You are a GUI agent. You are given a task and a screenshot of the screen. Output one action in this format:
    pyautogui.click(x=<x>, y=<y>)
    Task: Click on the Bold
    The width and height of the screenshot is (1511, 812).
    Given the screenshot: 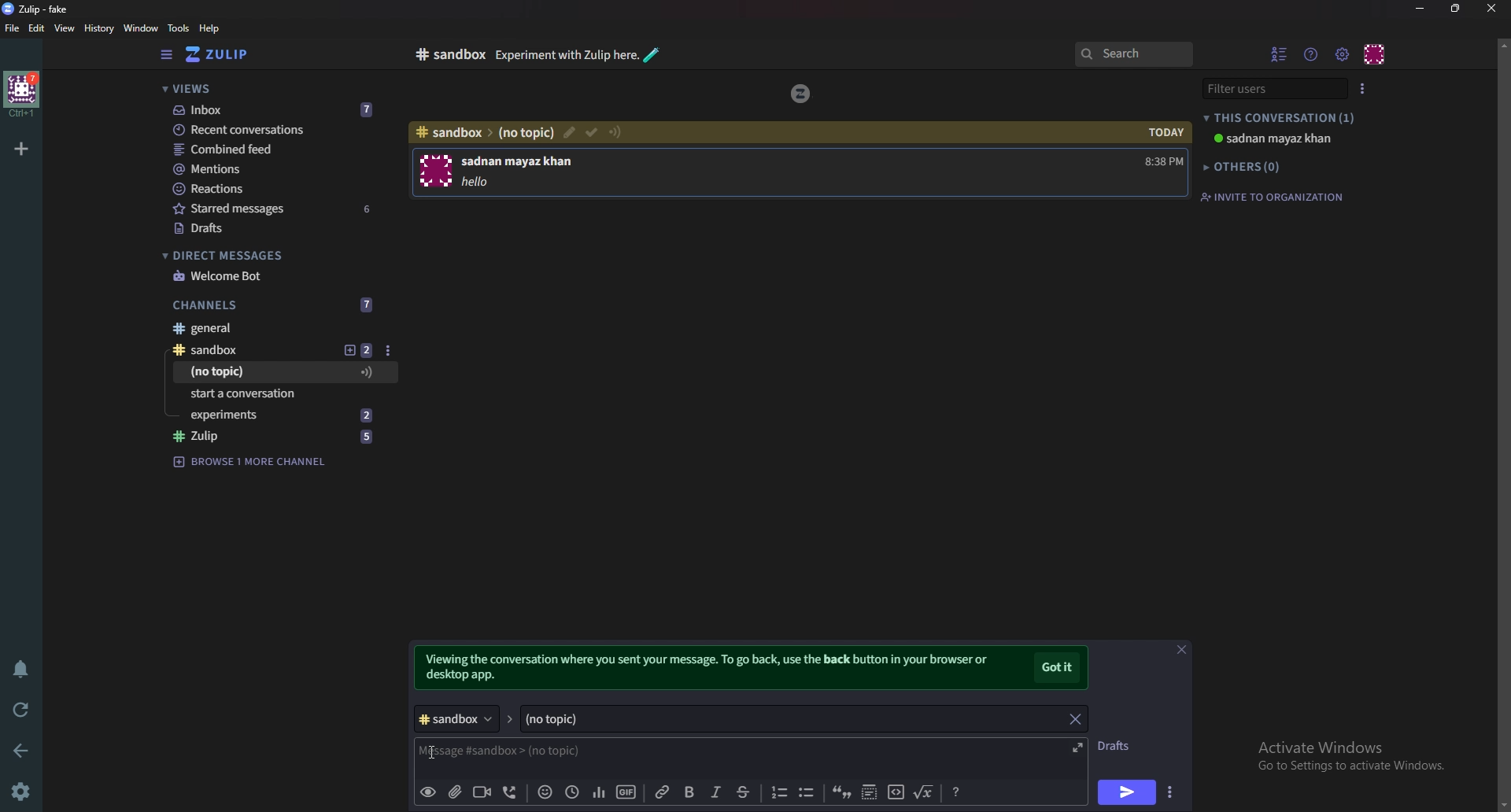 What is the action you would take?
    pyautogui.click(x=689, y=792)
    